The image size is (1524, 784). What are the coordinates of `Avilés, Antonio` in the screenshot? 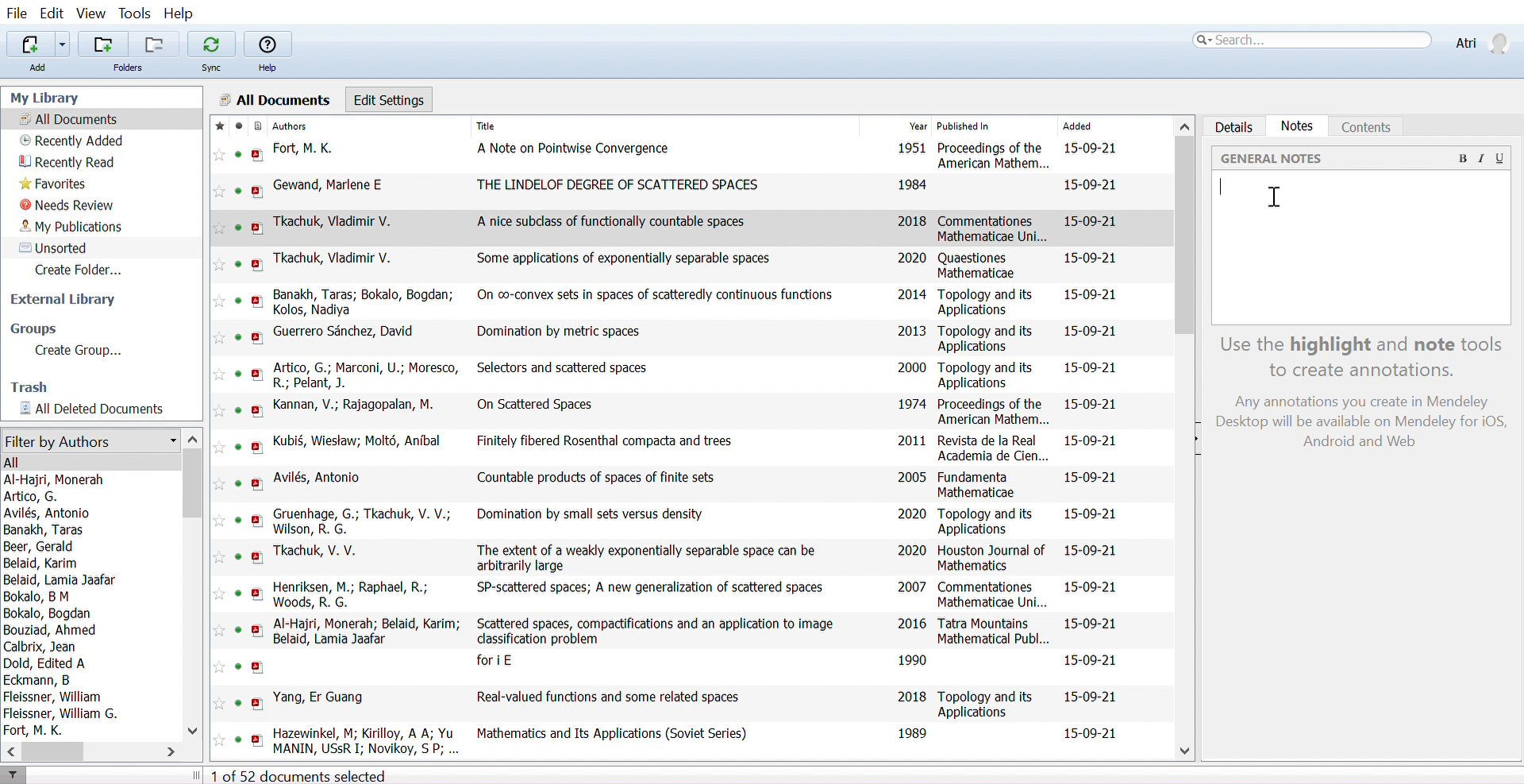 It's located at (317, 476).